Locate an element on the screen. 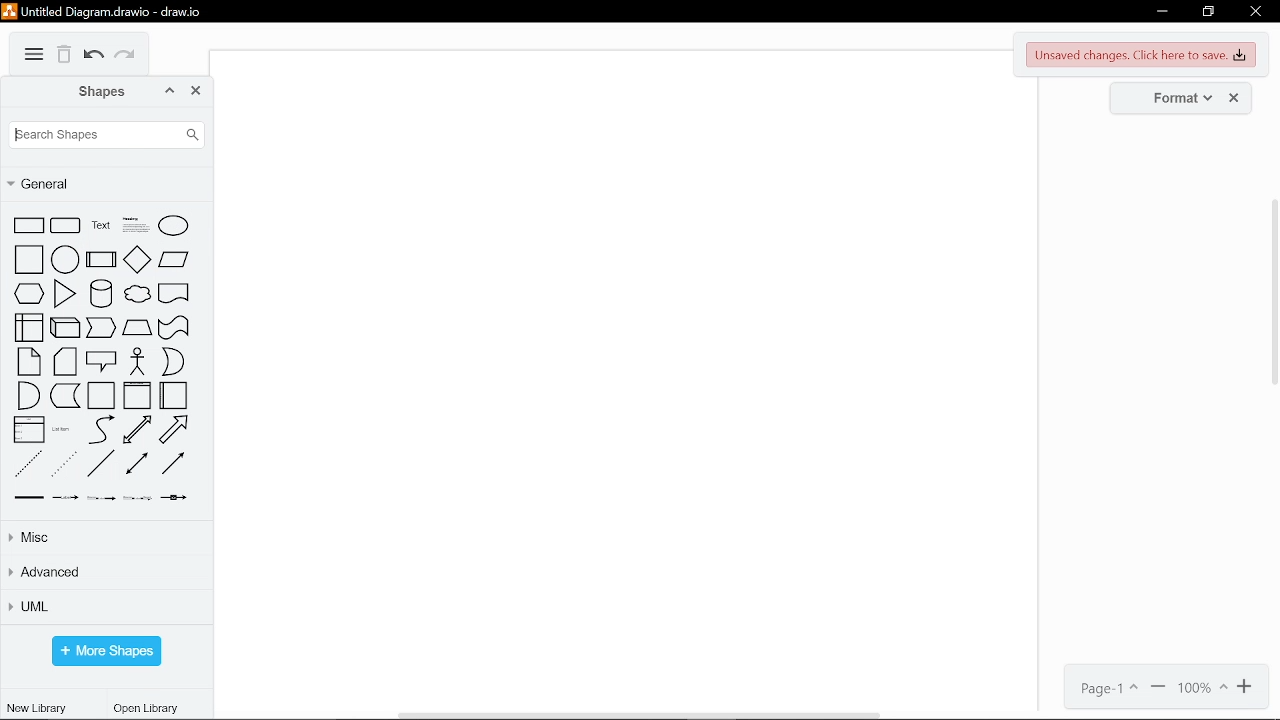  dotted line is located at coordinates (64, 464).